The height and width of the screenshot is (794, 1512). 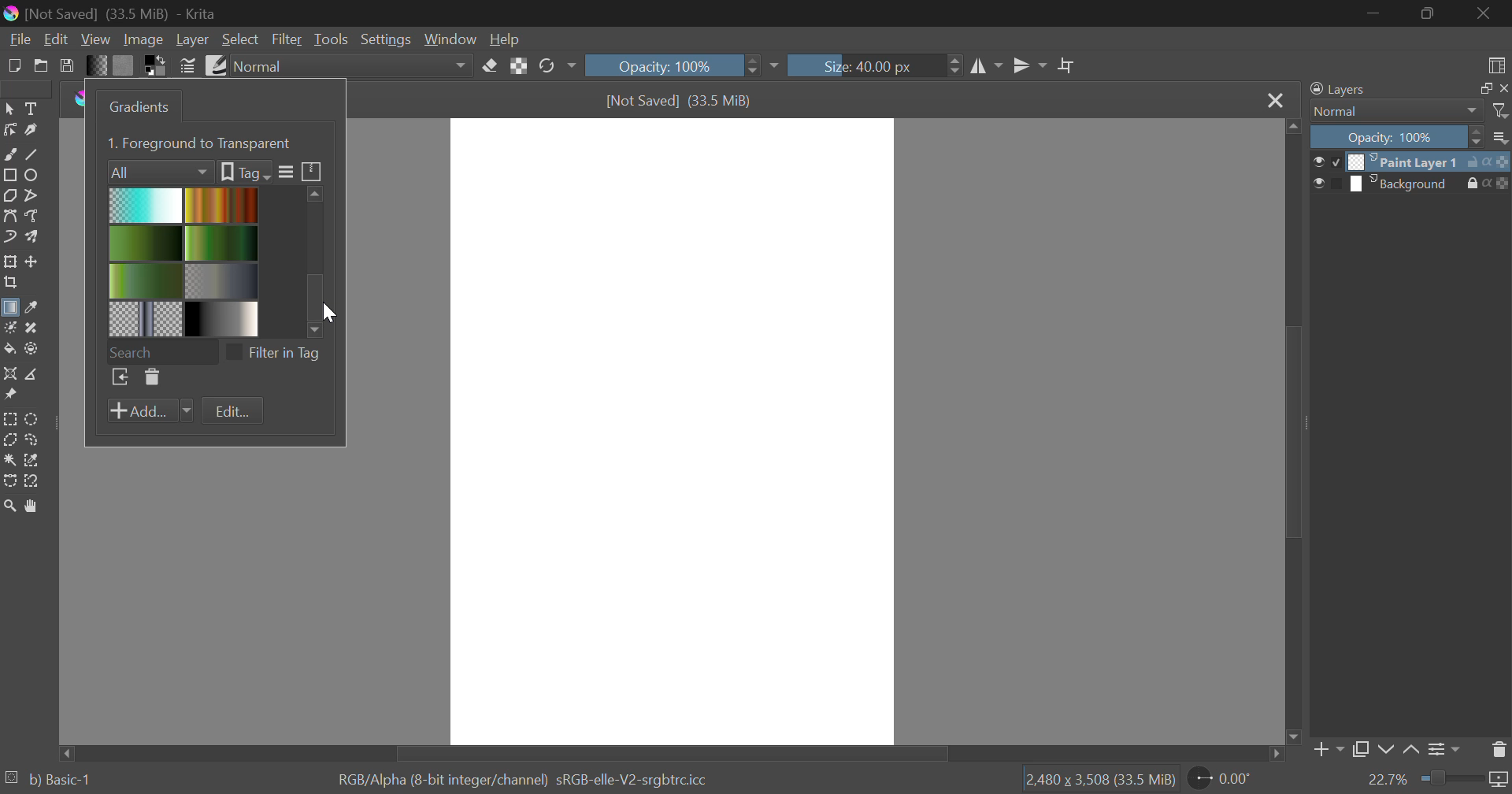 What do you see at coordinates (680, 101) in the screenshot?
I see `[Not Saved] (33.5 MiB)` at bounding box center [680, 101].